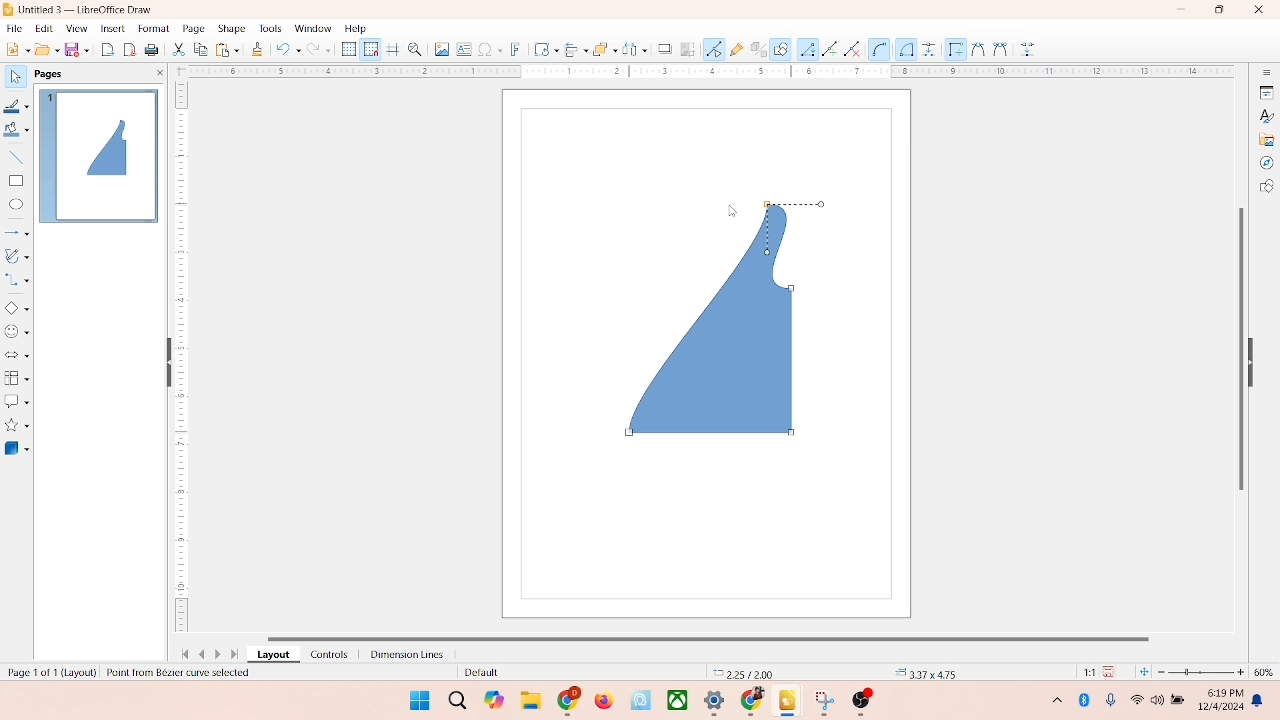  What do you see at coordinates (662, 47) in the screenshot?
I see `shadow` at bounding box center [662, 47].